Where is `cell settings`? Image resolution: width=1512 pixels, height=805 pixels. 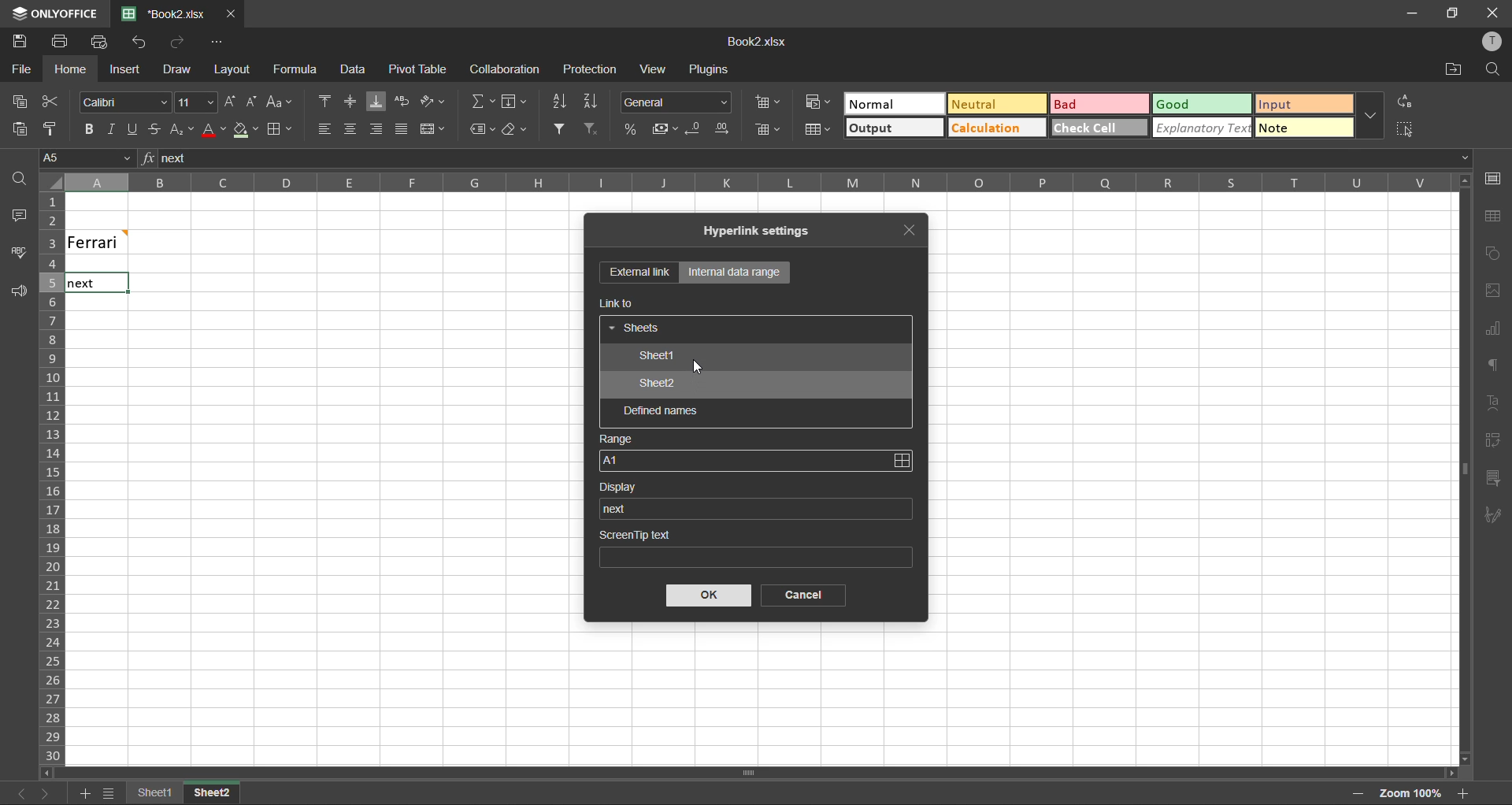 cell settings is located at coordinates (1493, 178).